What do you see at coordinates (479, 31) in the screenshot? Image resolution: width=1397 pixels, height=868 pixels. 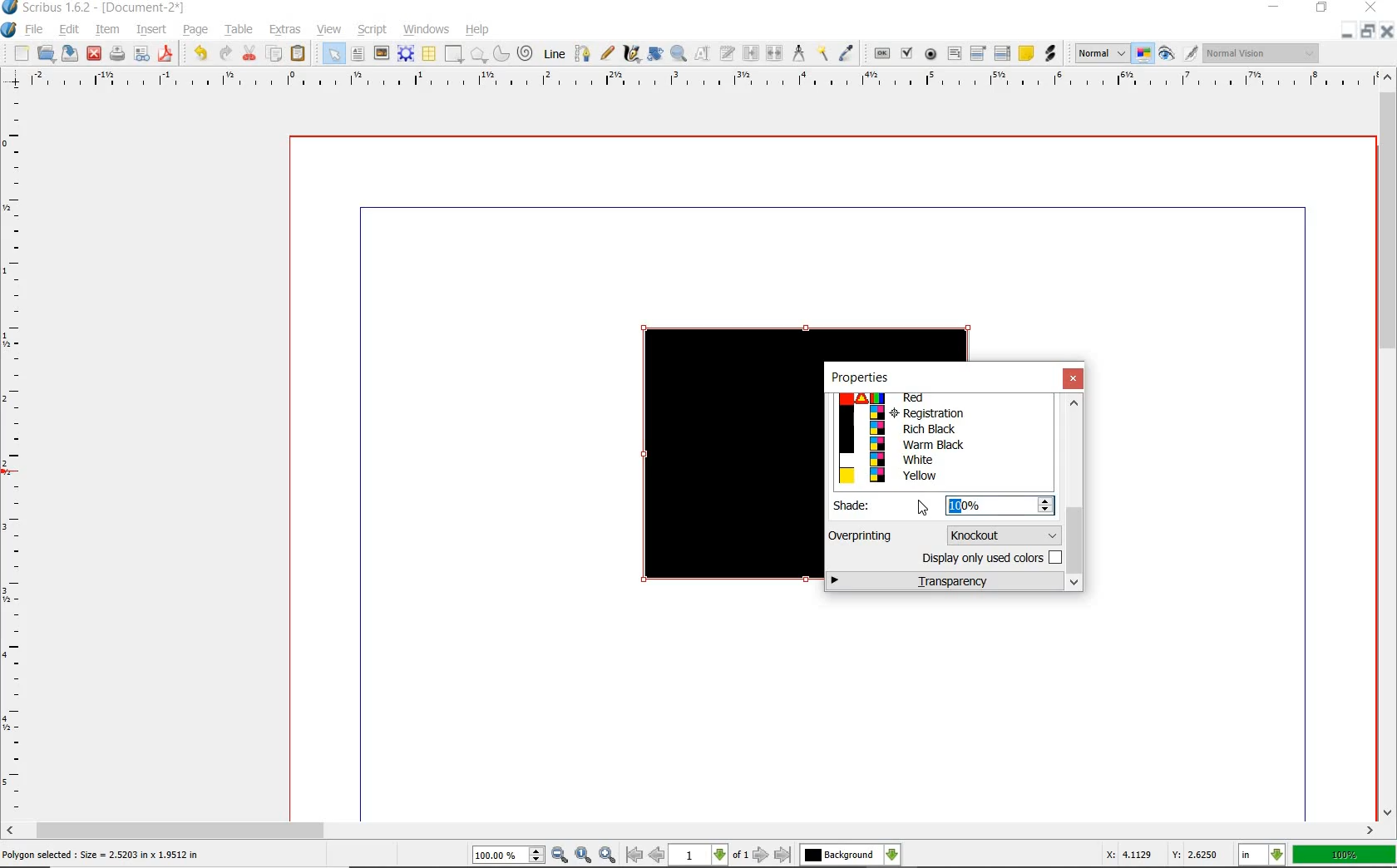 I see `help` at bounding box center [479, 31].